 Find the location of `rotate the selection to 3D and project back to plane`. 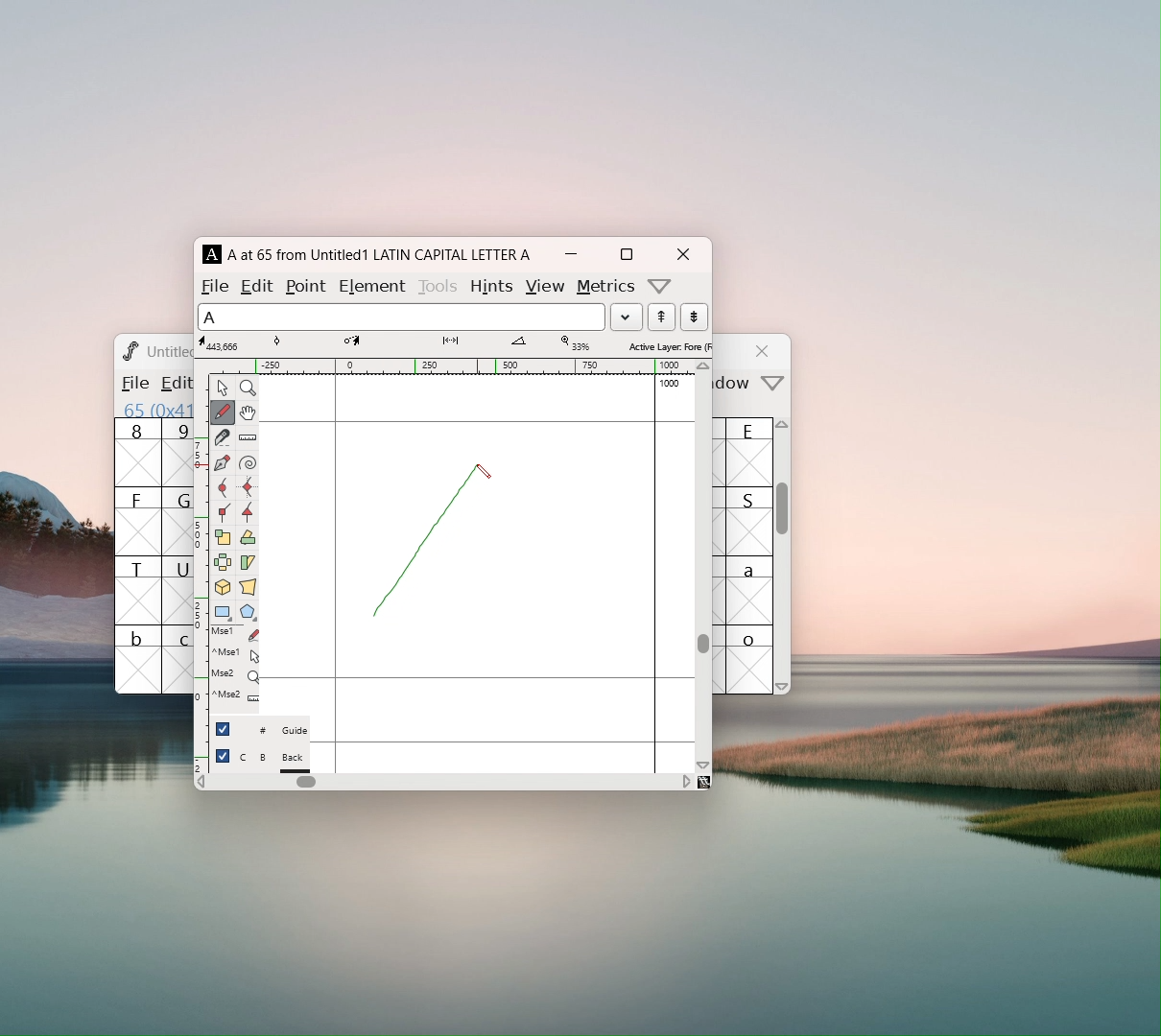

rotate the selection to 3D and project back to plane is located at coordinates (223, 589).